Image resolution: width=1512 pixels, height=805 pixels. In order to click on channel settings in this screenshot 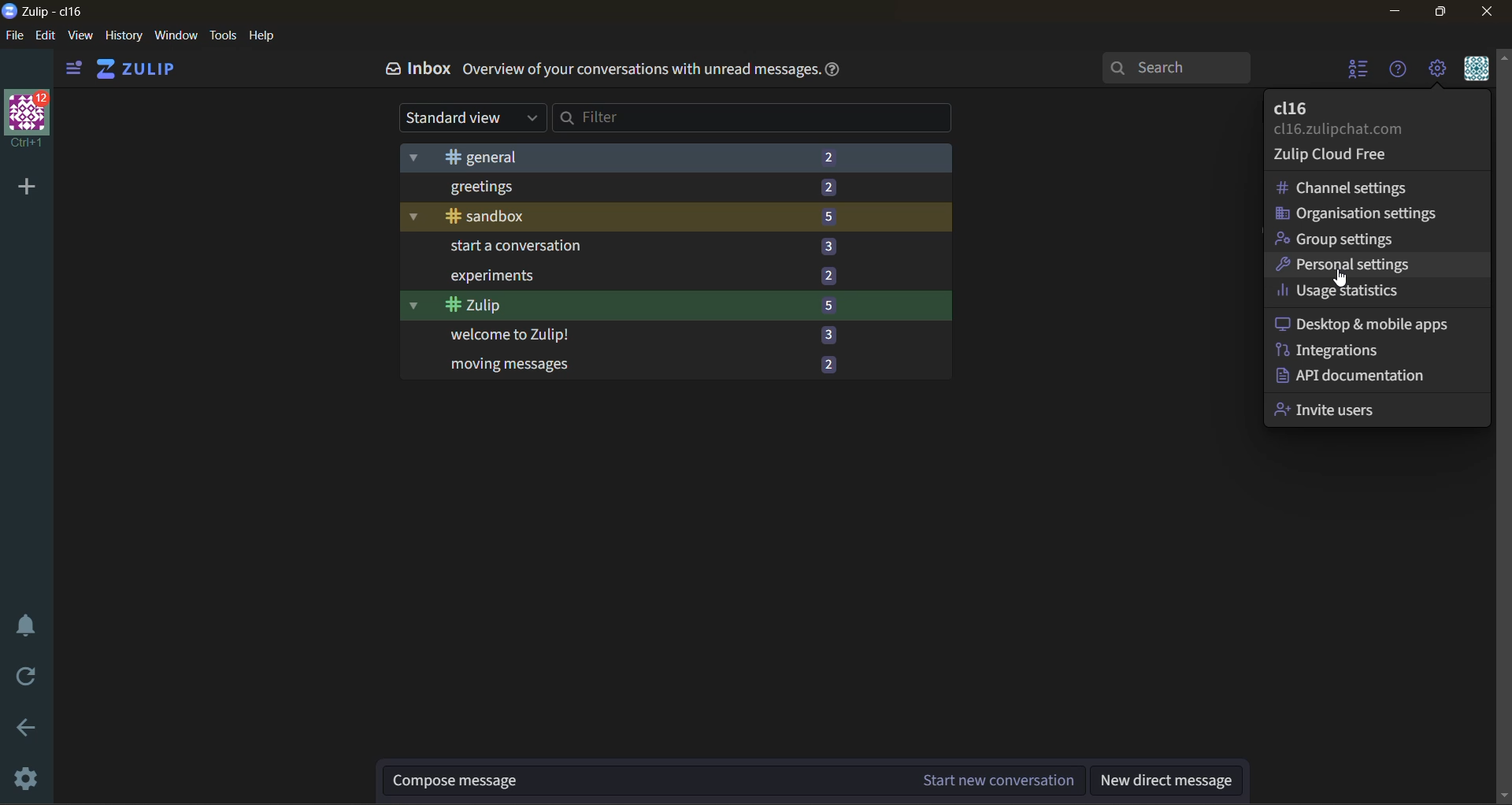, I will do `click(1354, 188)`.